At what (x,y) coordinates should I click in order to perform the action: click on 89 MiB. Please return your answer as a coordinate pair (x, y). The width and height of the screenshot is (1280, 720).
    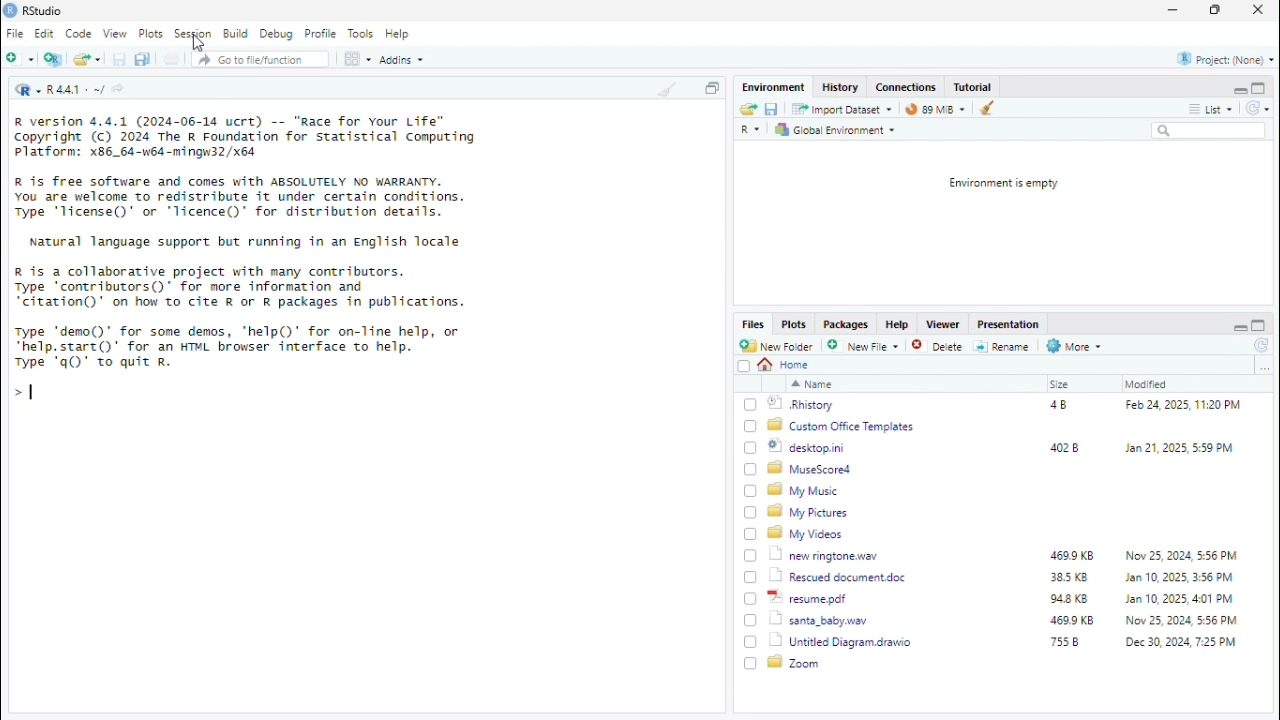
    Looking at the image, I should click on (935, 108).